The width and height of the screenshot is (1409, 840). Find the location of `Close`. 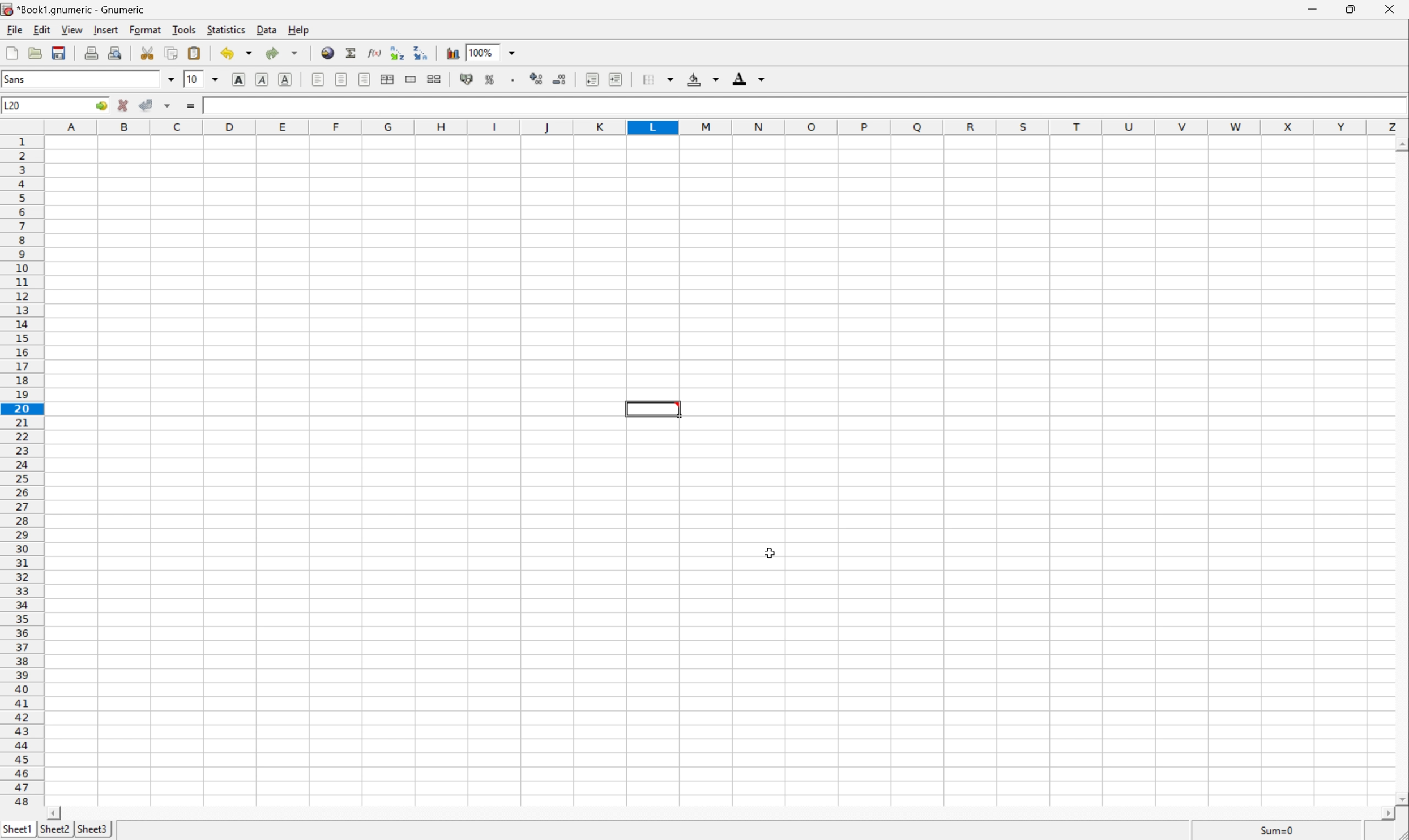

Close is located at coordinates (1389, 9).